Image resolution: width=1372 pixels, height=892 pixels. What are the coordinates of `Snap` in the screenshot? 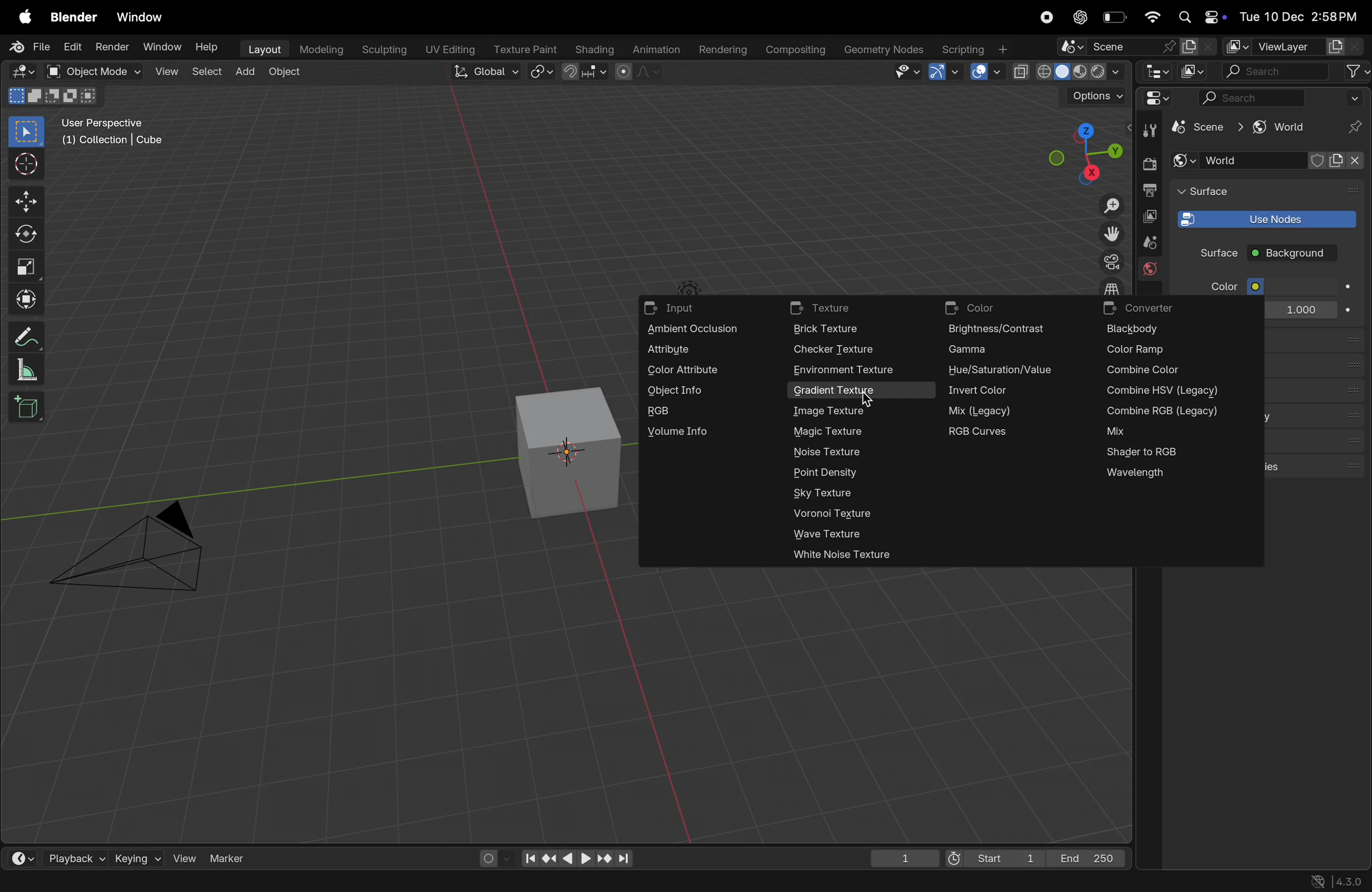 It's located at (587, 72).